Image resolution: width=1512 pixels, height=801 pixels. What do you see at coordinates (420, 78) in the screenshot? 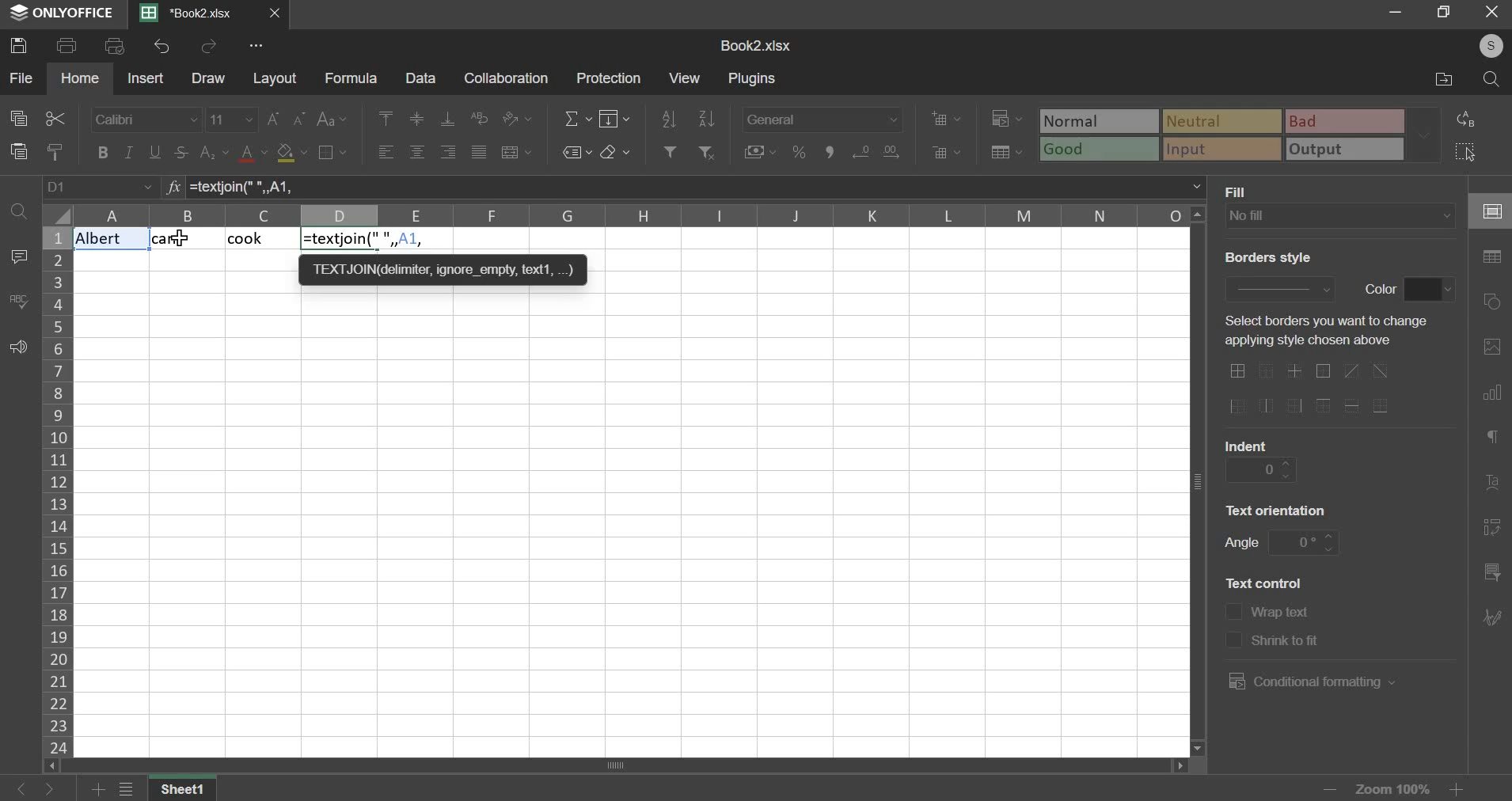
I see `data` at bounding box center [420, 78].